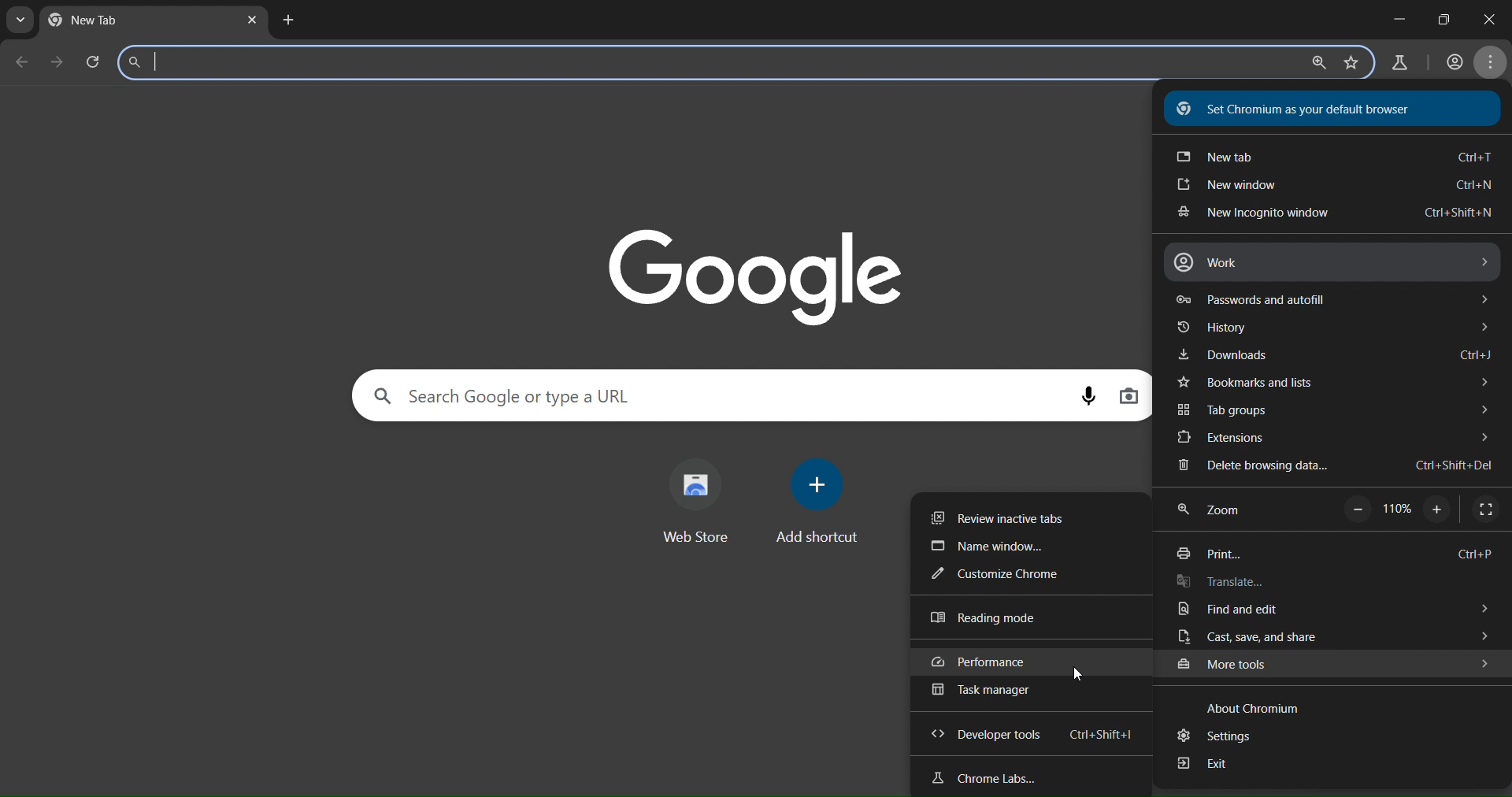  I want to click on bookmark, so click(1351, 63).